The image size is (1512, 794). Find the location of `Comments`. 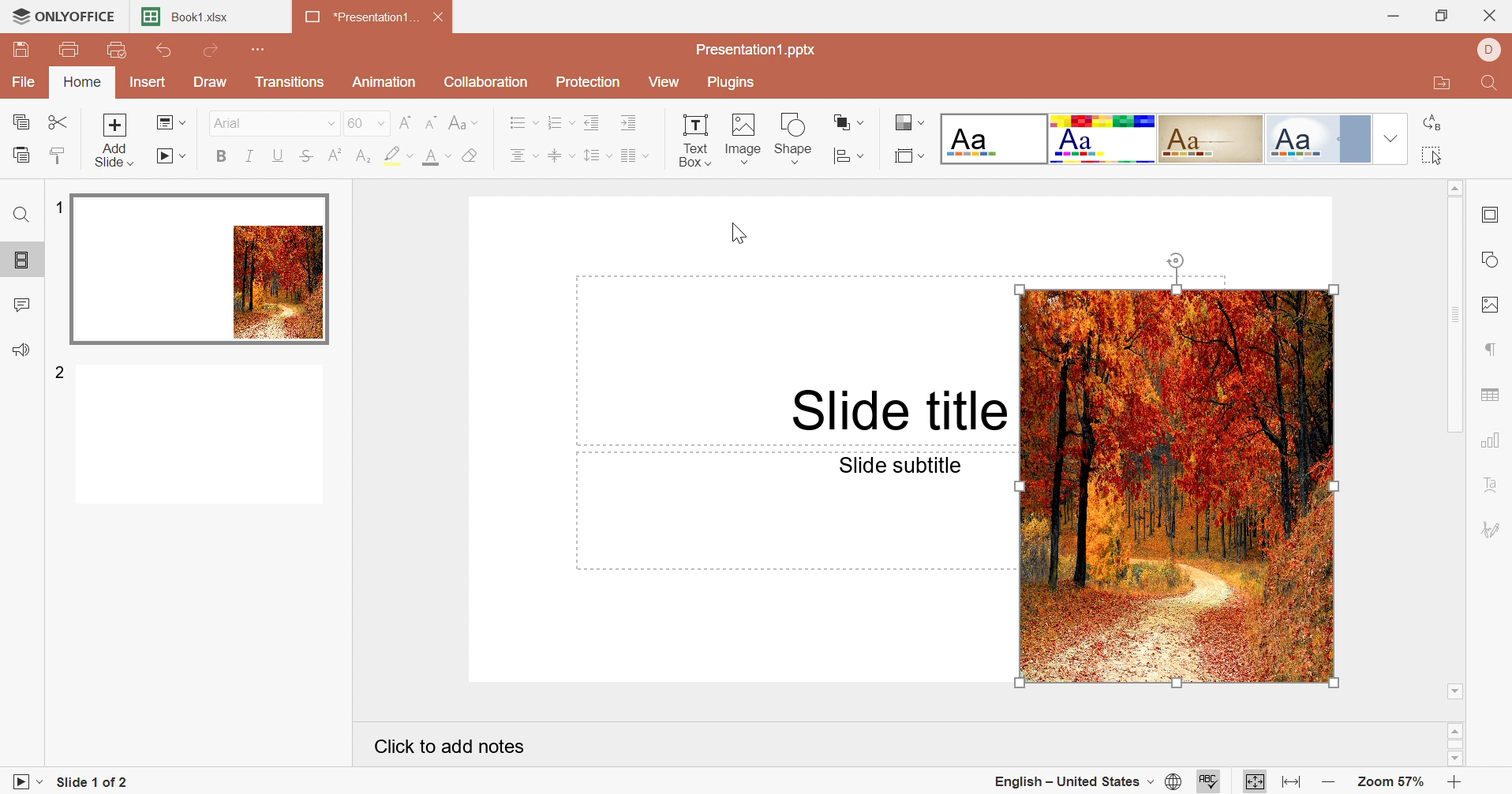

Comments is located at coordinates (20, 307).